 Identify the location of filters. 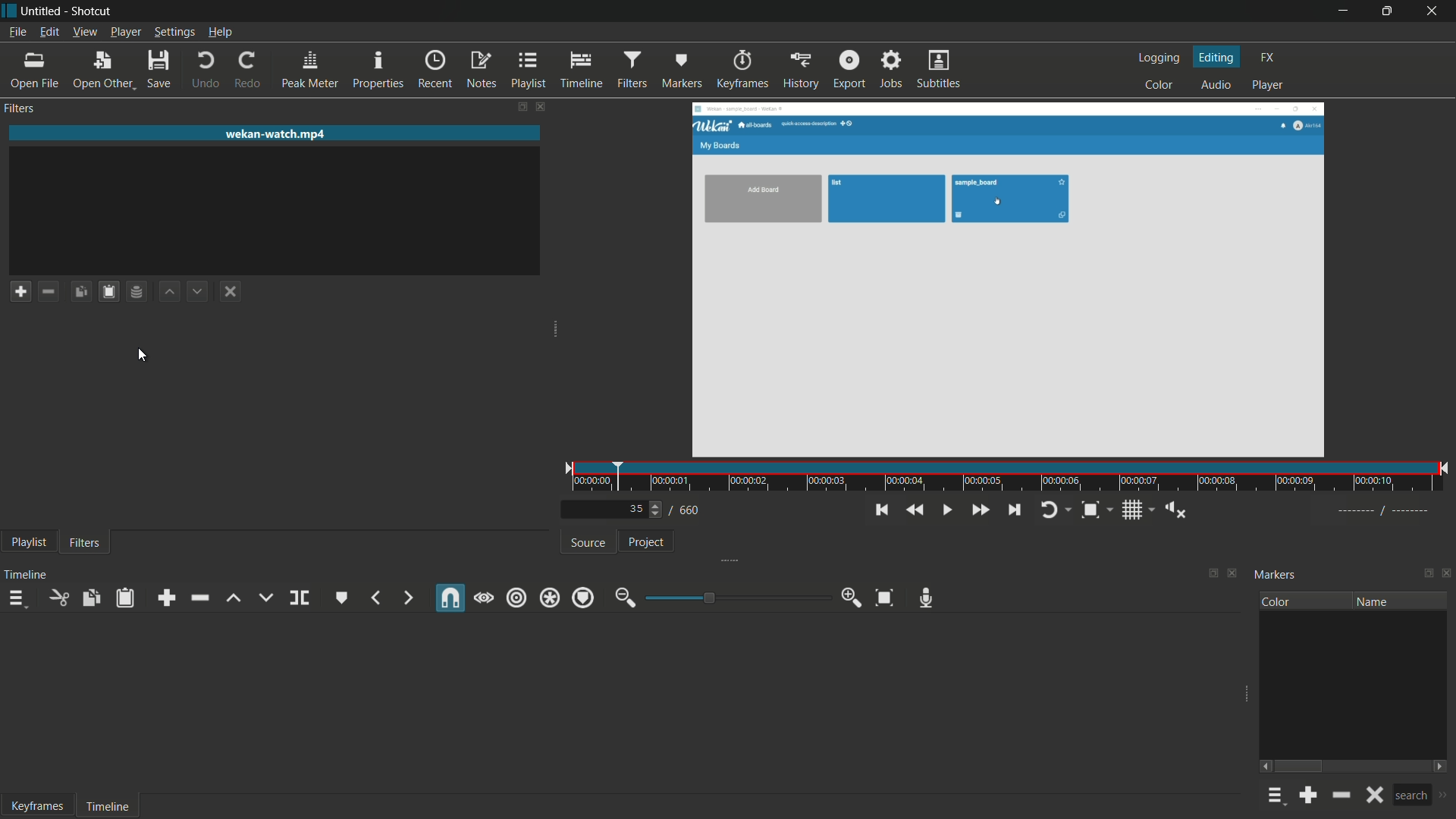
(89, 544).